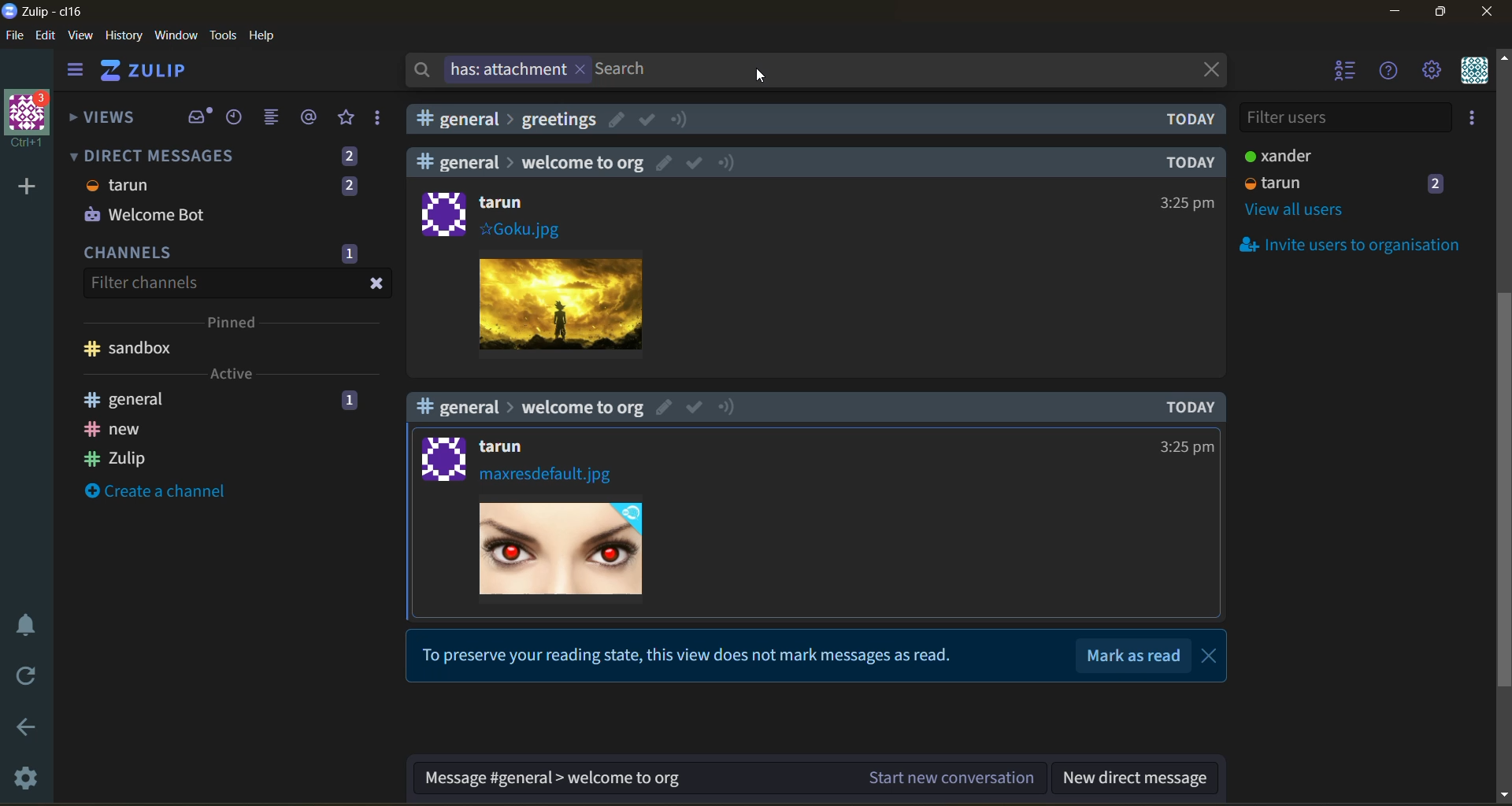  I want to click on inbox, so click(198, 116).